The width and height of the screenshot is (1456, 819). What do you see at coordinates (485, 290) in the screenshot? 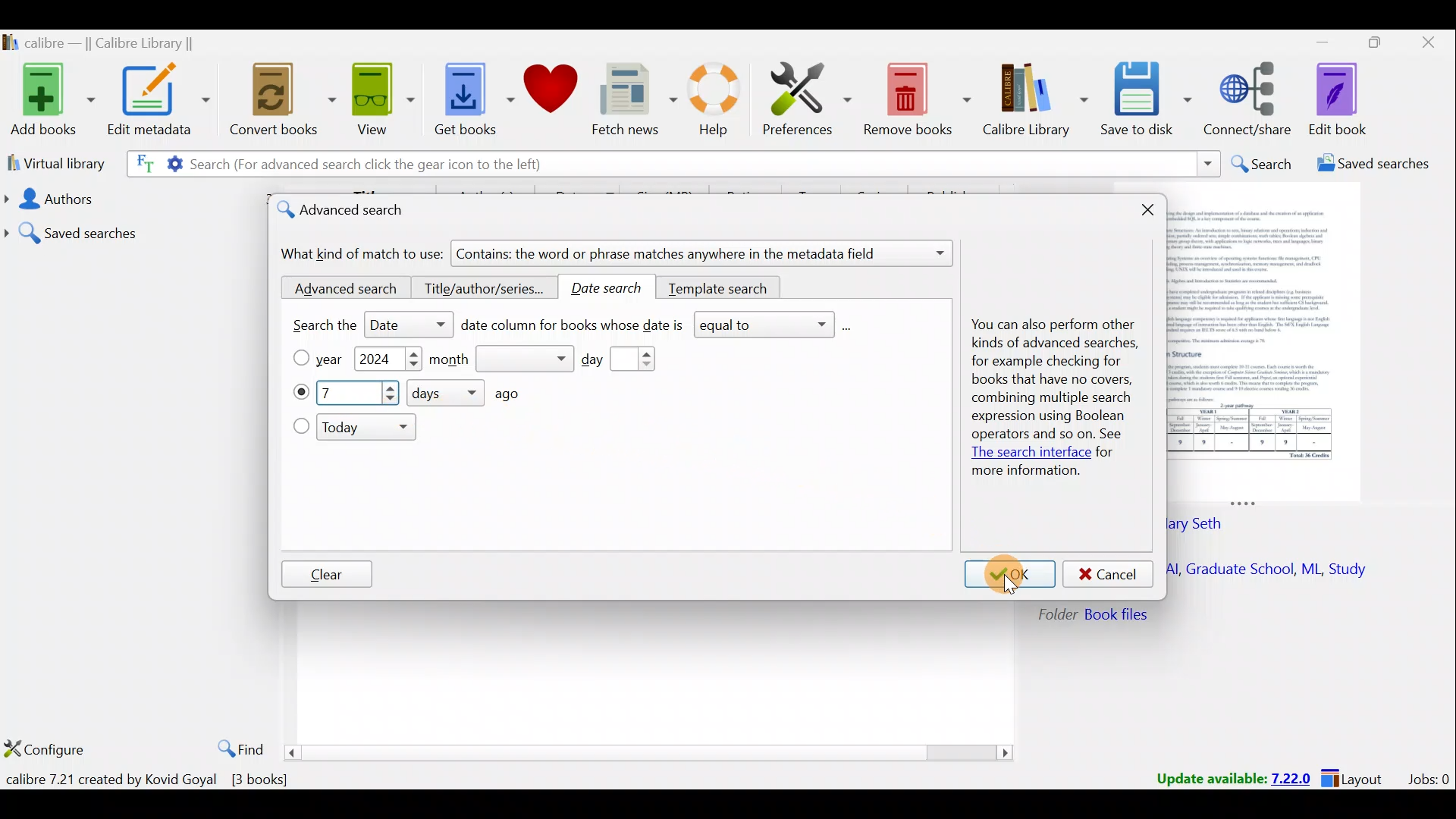
I see `Title/author/series` at bounding box center [485, 290].